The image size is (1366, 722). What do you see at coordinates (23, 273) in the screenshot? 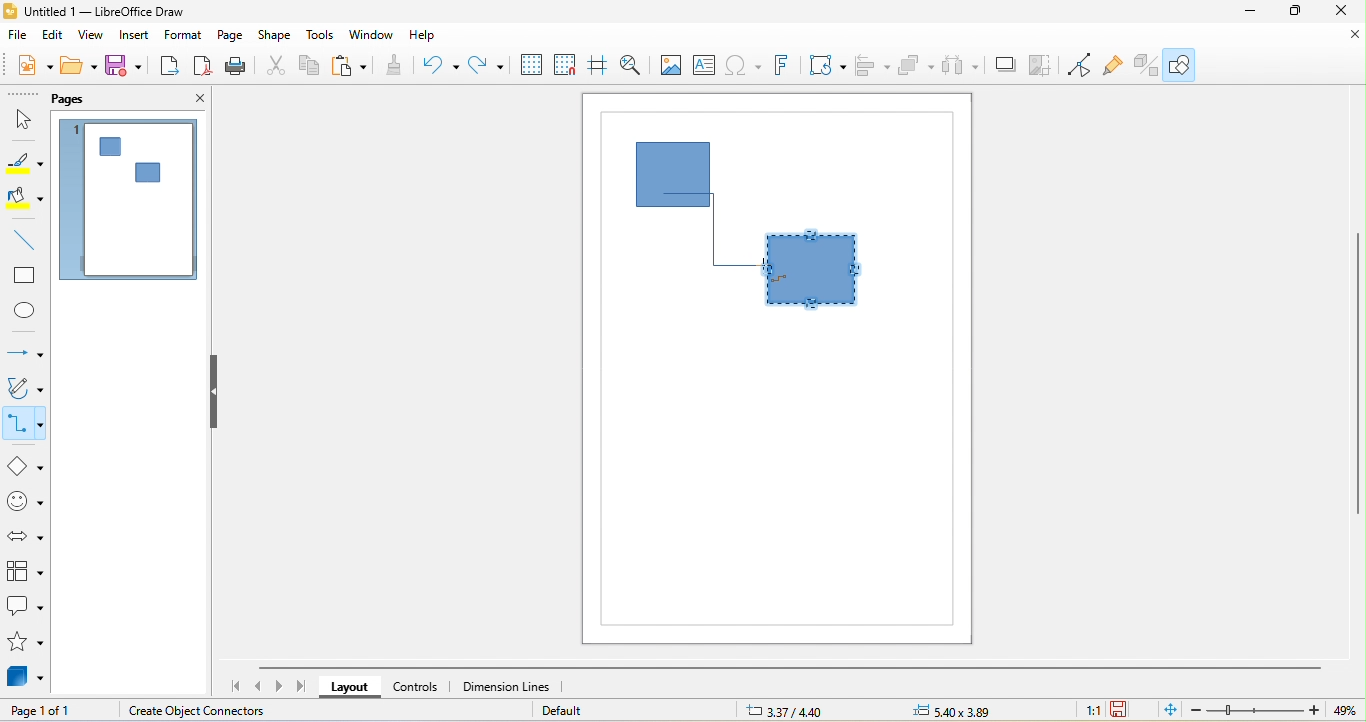
I see `rectangle` at bounding box center [23, 273].